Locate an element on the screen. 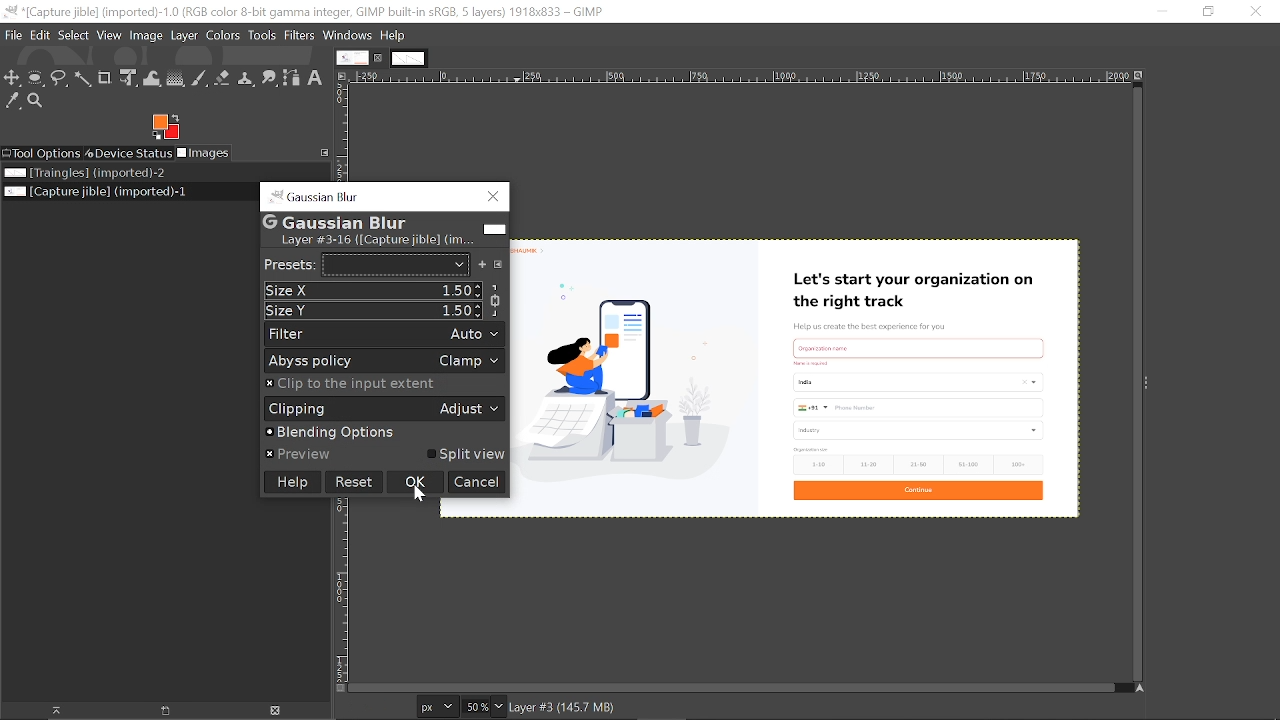 The image size is (1280, 720). Tool options is located at coordinates (41, 153).